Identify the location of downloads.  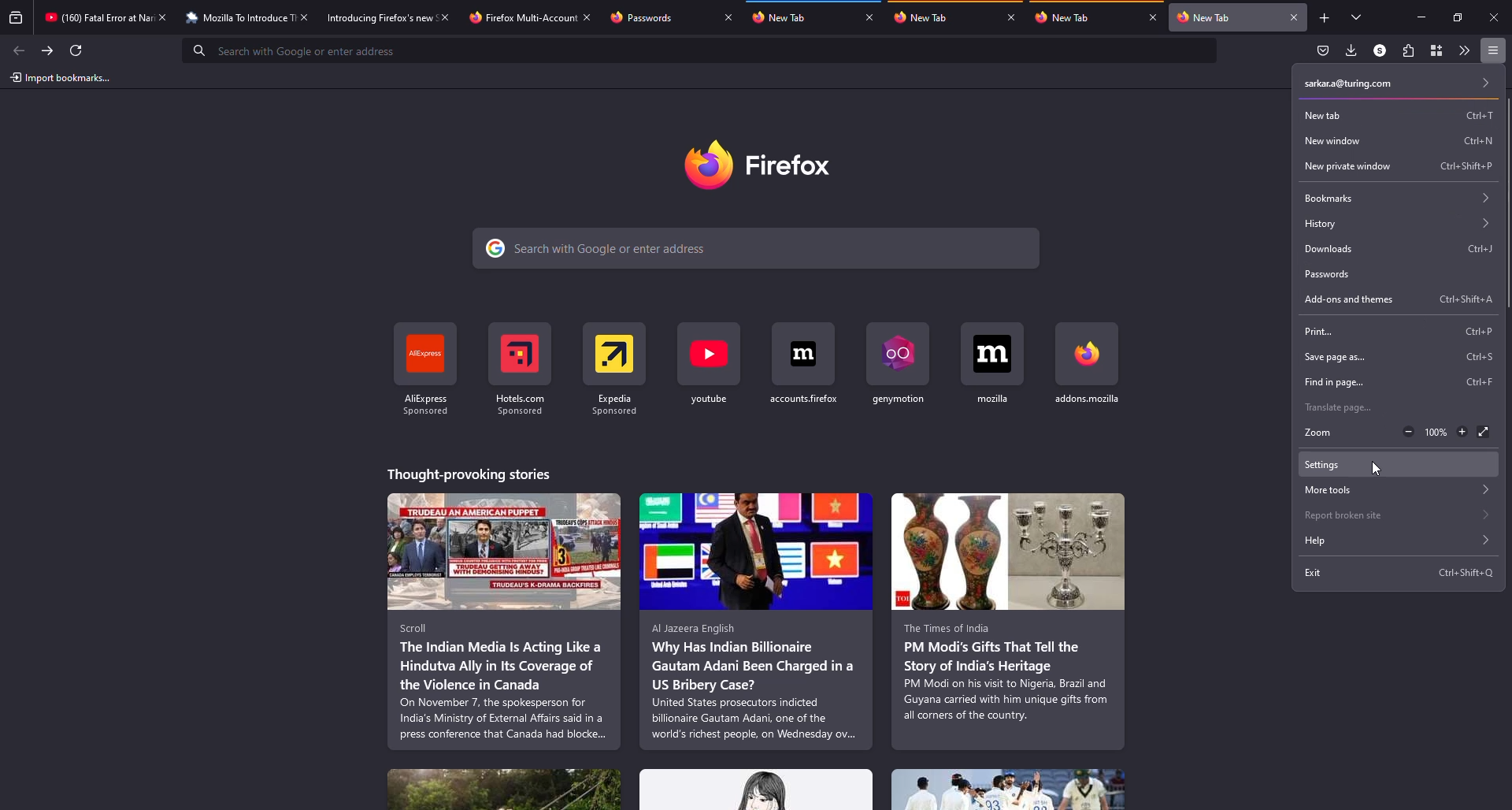
(1352, 50).